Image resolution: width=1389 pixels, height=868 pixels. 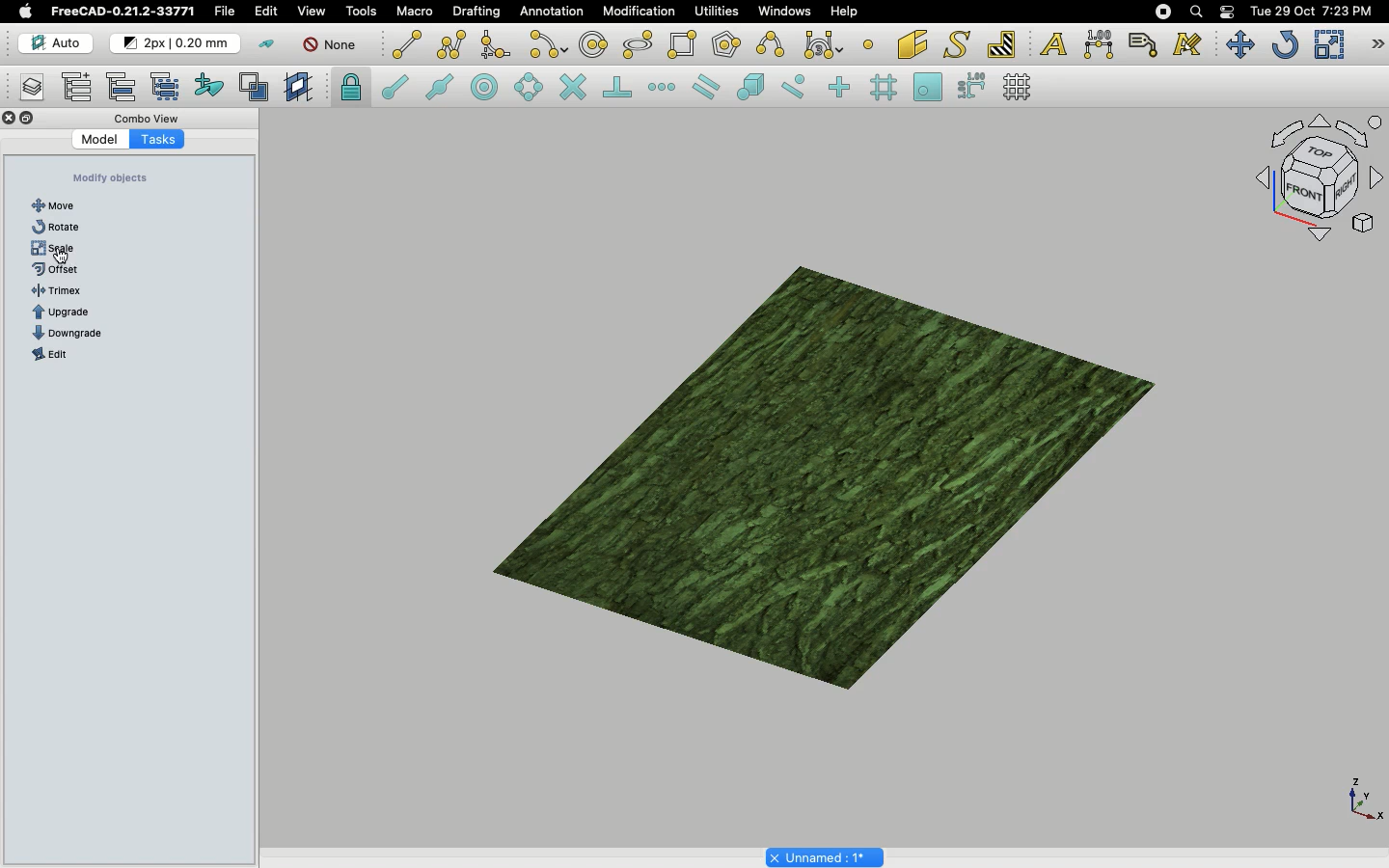 What do you see at coordinates (25, 88) in the screenshot?
I see `Manage layers` at bounding box center [25, 88].